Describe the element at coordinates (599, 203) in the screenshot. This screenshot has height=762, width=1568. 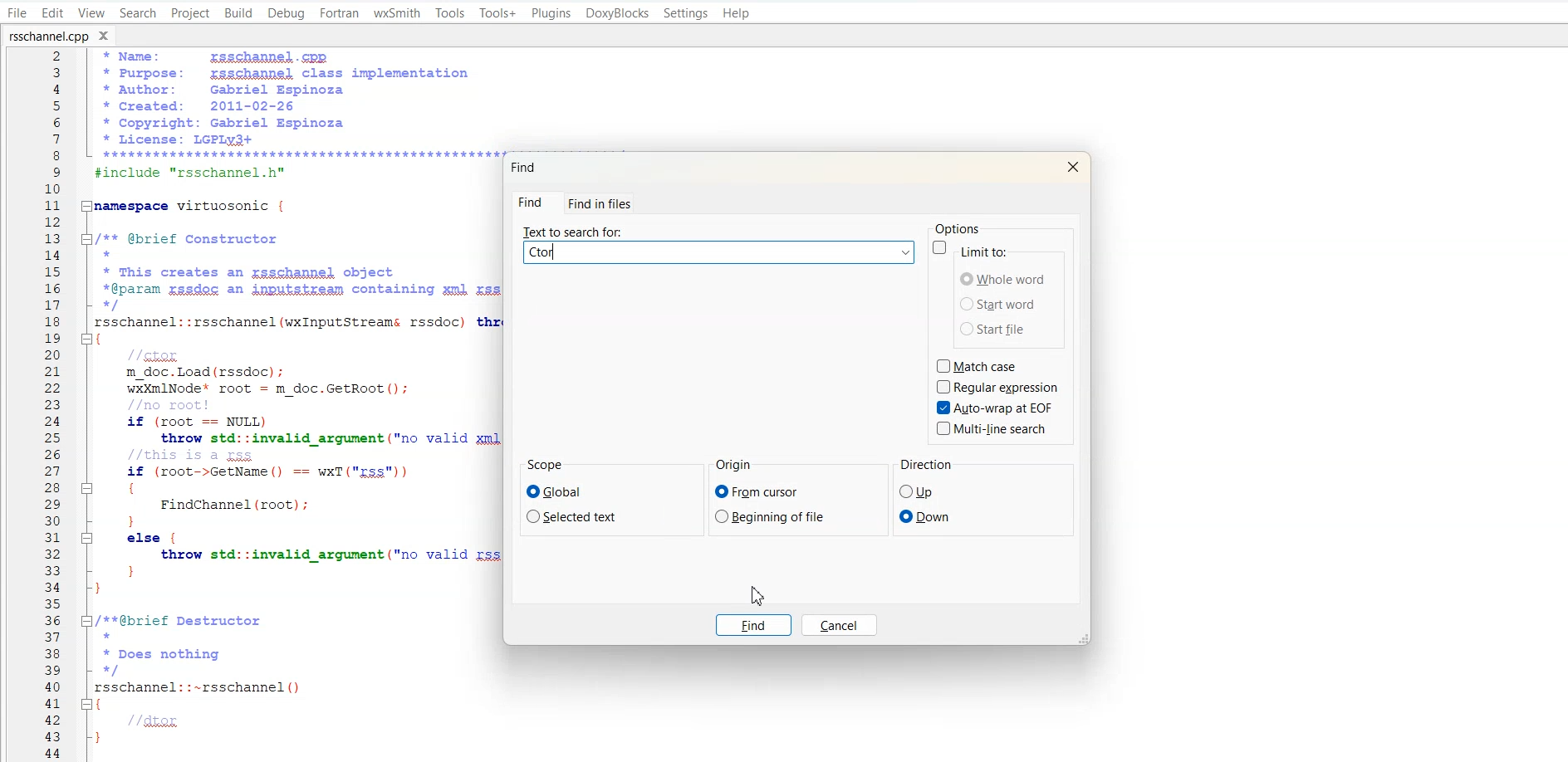
I see `Find in files` at that location.